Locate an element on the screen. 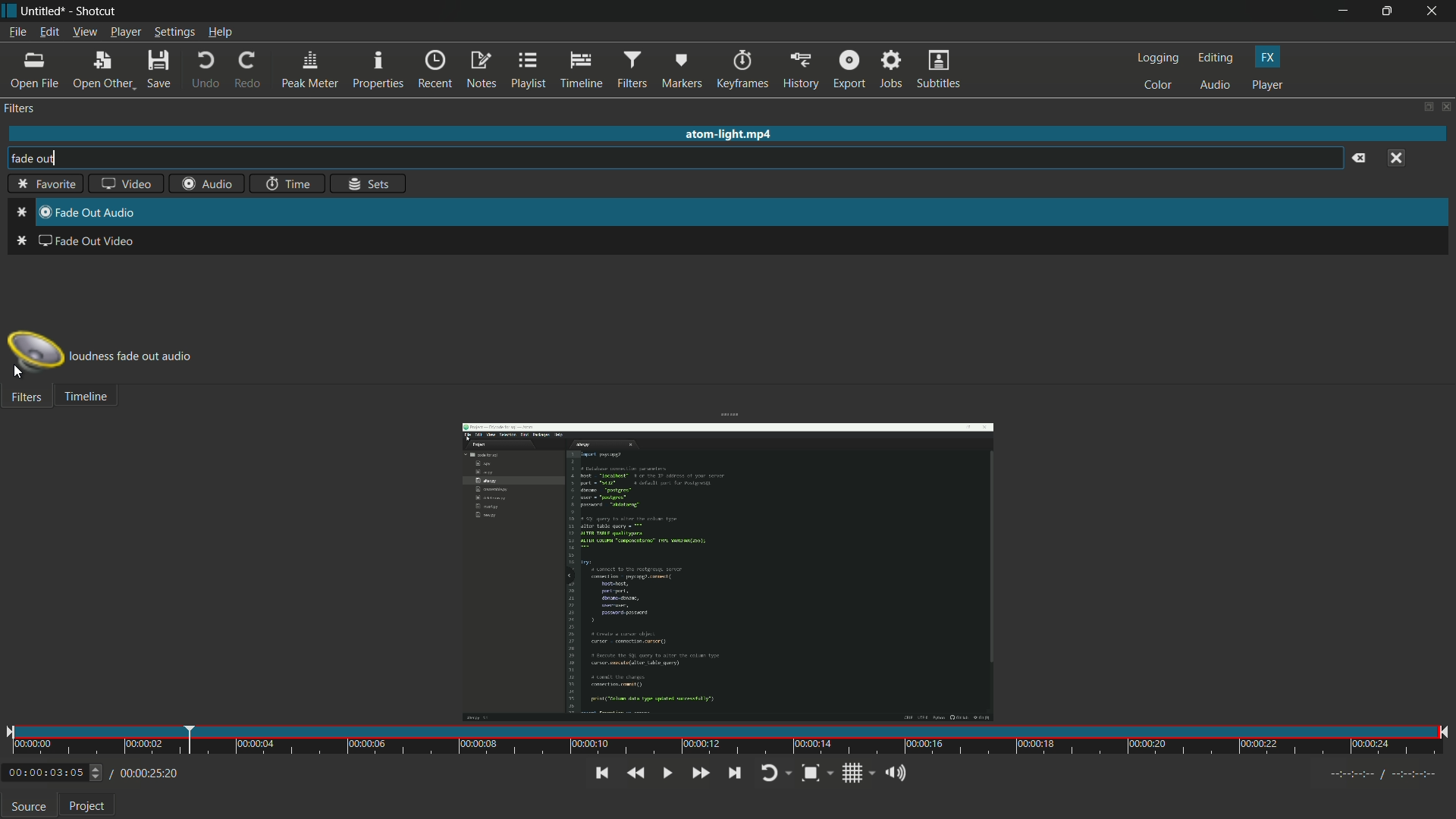 This screenshot has height=819, width=1456. toggle zoom is located at coordinates (809, 773).